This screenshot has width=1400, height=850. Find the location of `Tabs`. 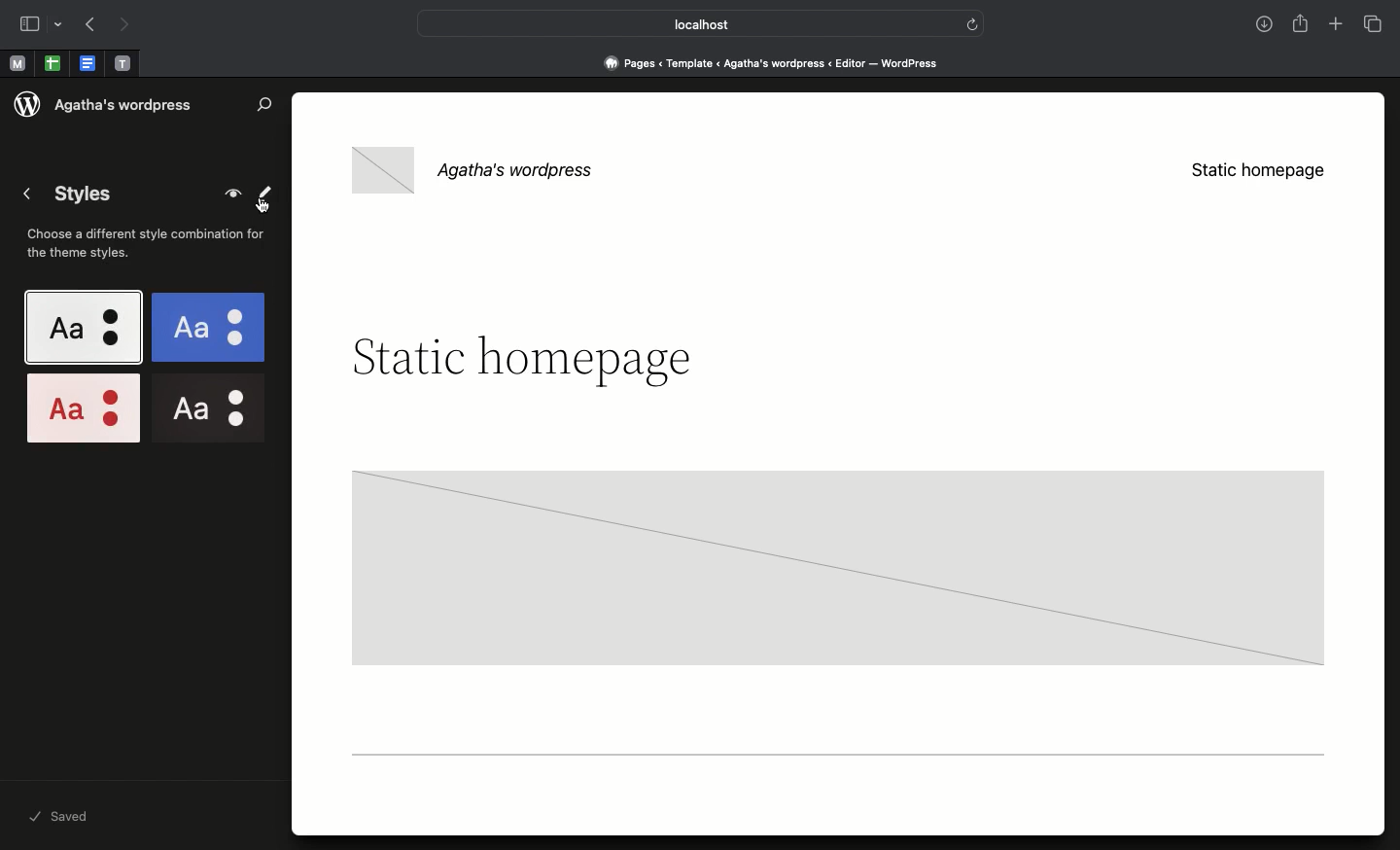

Tabs is located at coordinates (1375, 24).